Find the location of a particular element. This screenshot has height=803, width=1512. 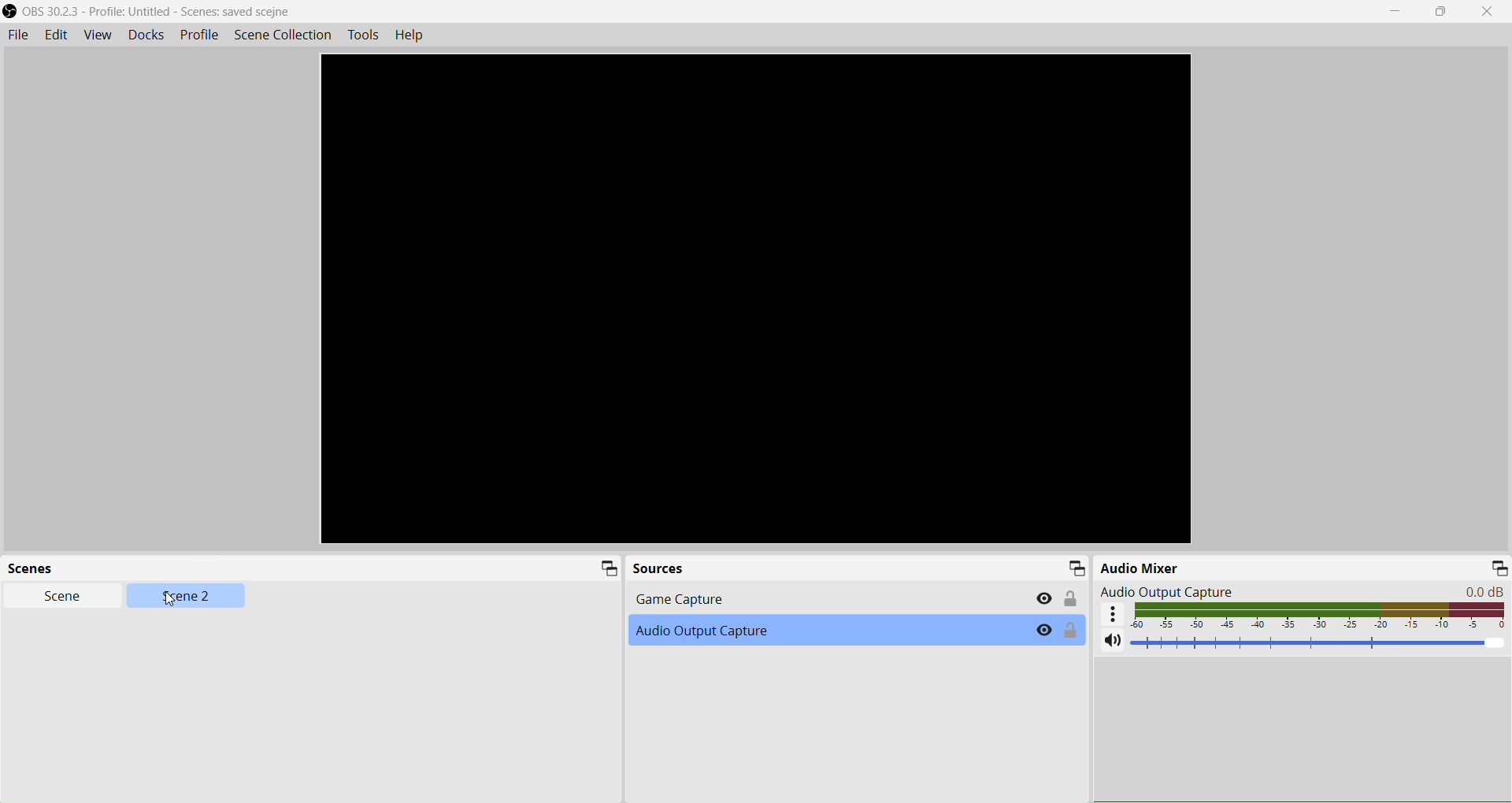

Docks is located at coordinates (146, 34).